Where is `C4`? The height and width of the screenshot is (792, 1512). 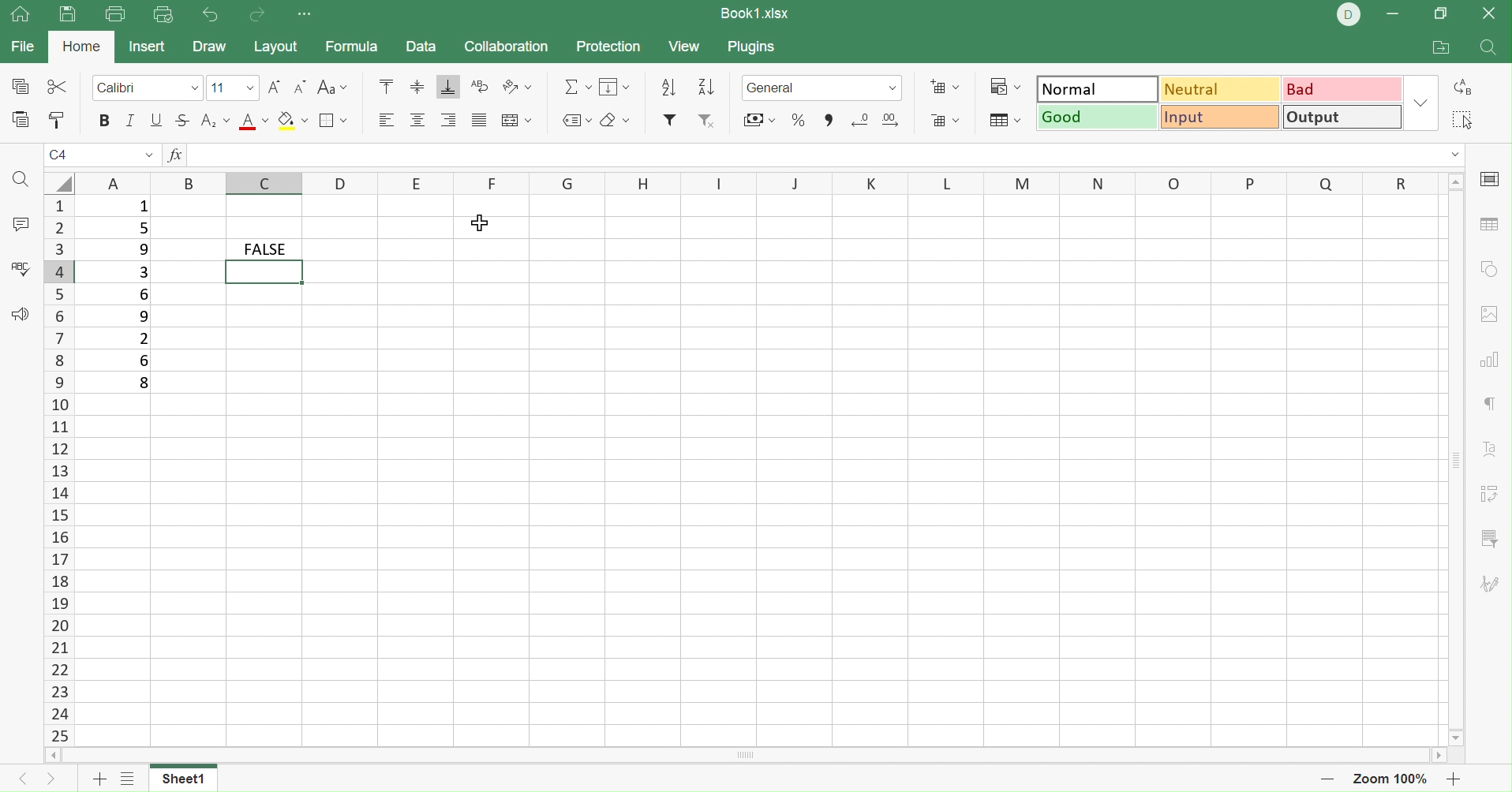 C4 is located at coordinates (60, 154).